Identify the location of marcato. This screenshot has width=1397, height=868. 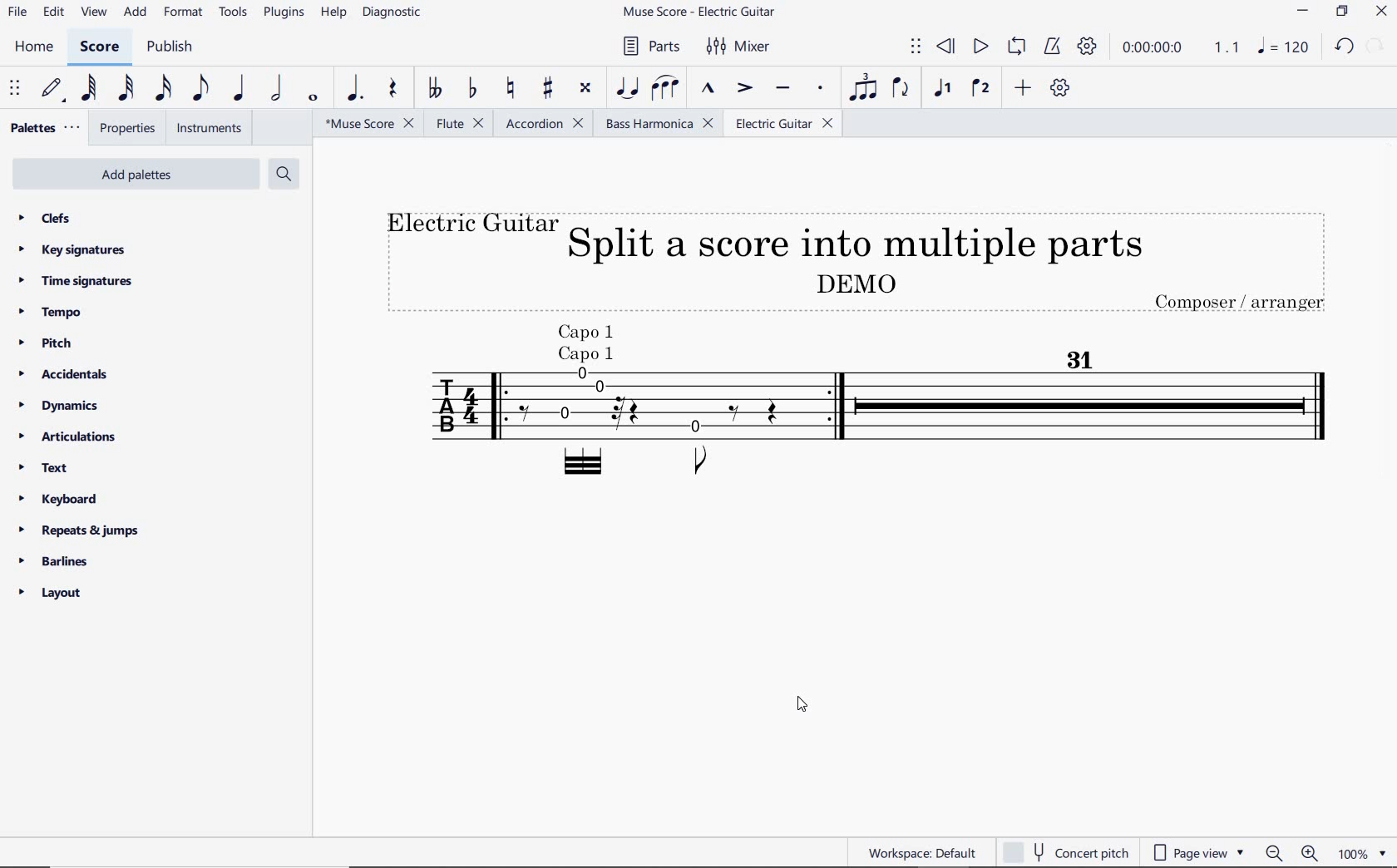
(708, 90).